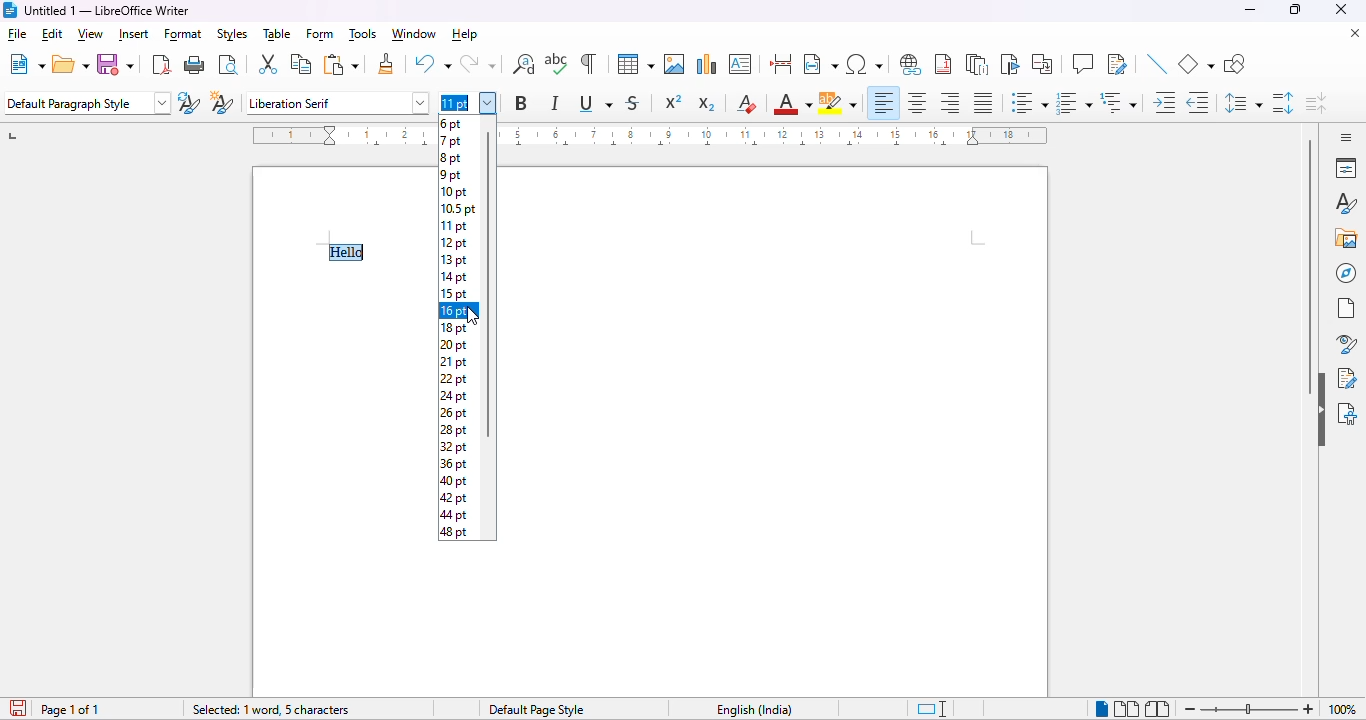  I want to click on show track changes functions, so click(1118, 64).